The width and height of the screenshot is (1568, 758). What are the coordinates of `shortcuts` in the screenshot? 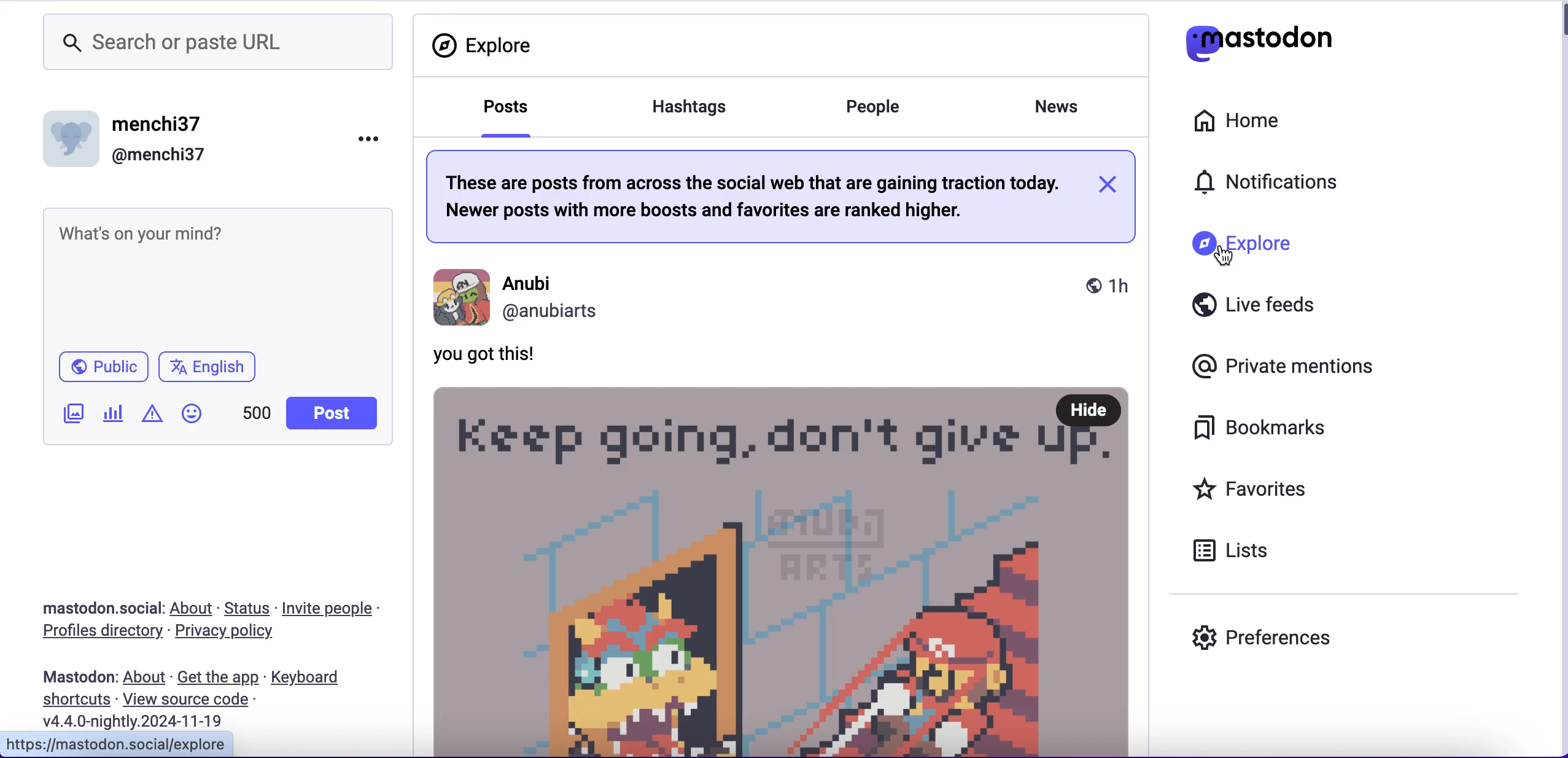 It's located at (74, 703).